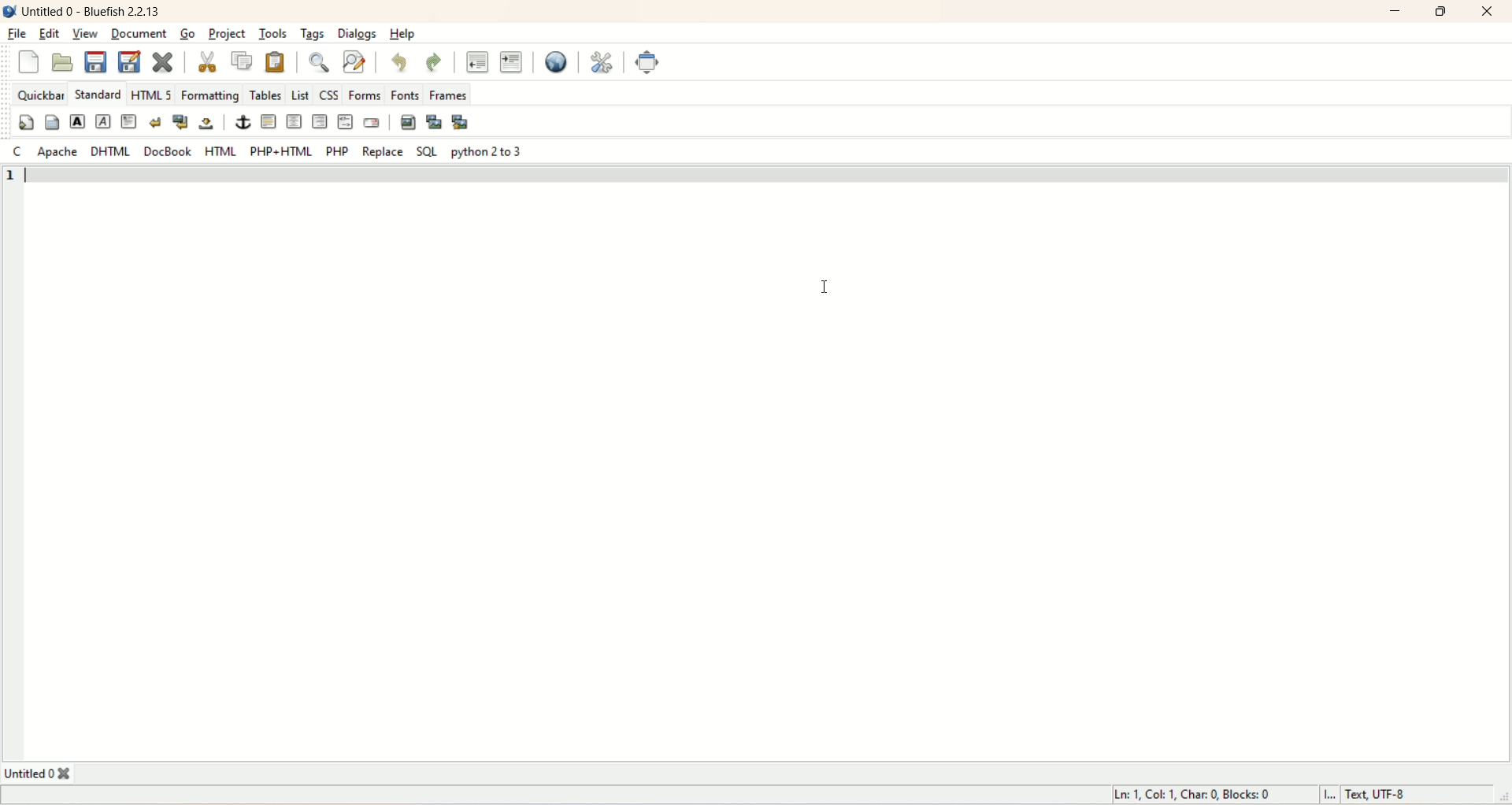 The height and width of the screenshot is (805, 1512). Describe the element at coordinates (317, 62) in the screenshot. I see `find` at that location.